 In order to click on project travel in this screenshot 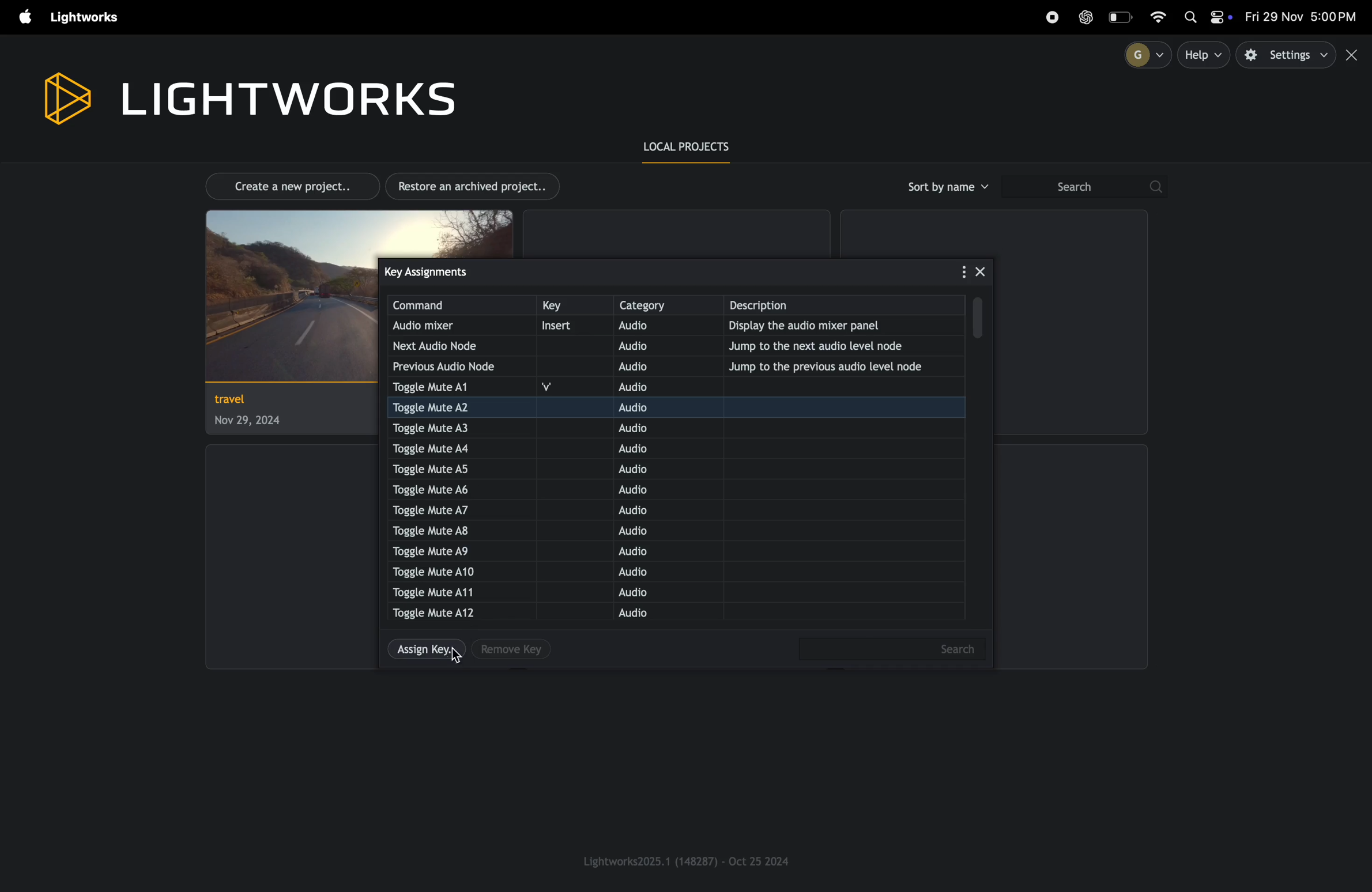, I will do `click(250, 414)`.